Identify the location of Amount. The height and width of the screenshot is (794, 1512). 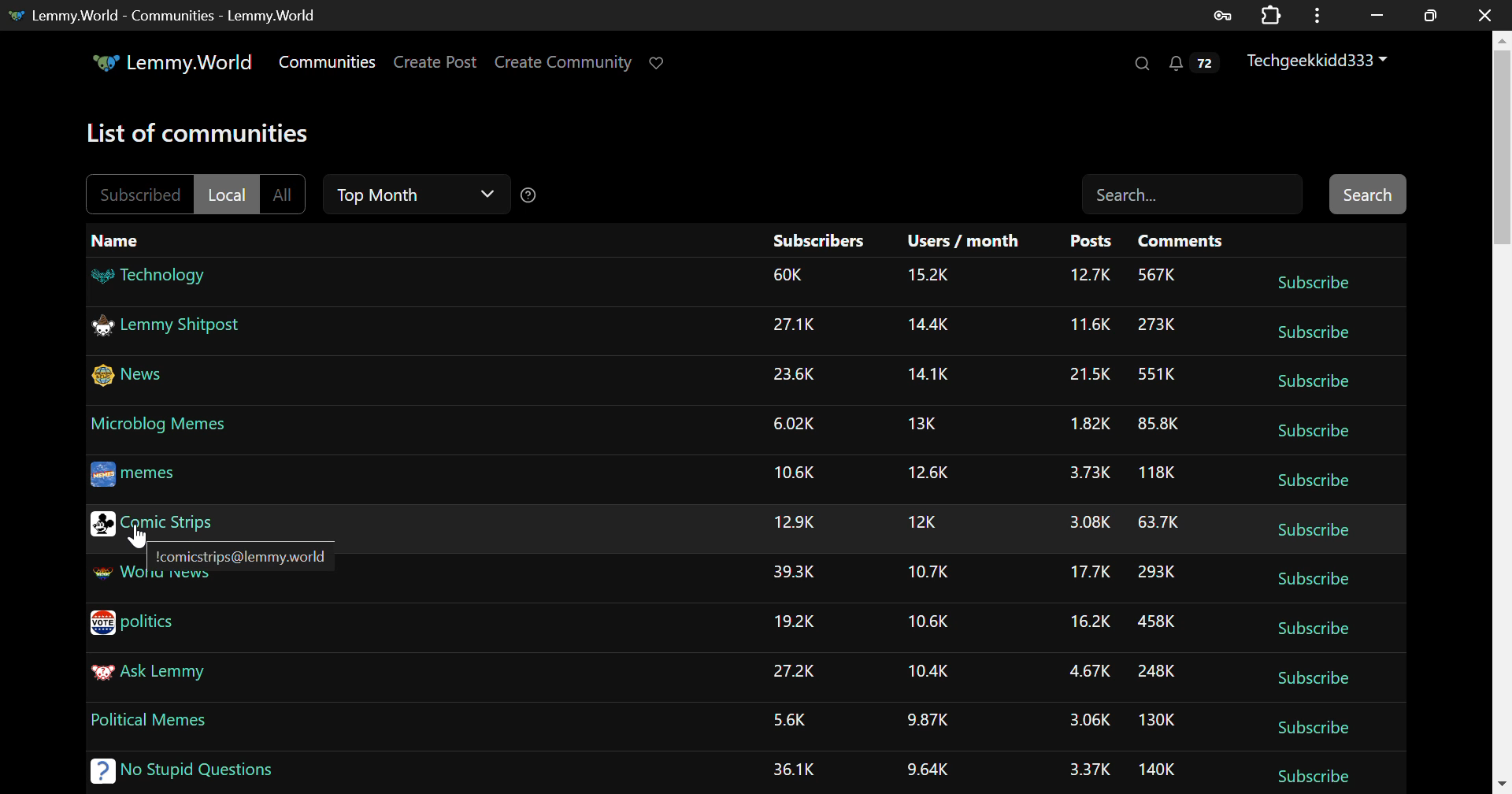
(929, 769).